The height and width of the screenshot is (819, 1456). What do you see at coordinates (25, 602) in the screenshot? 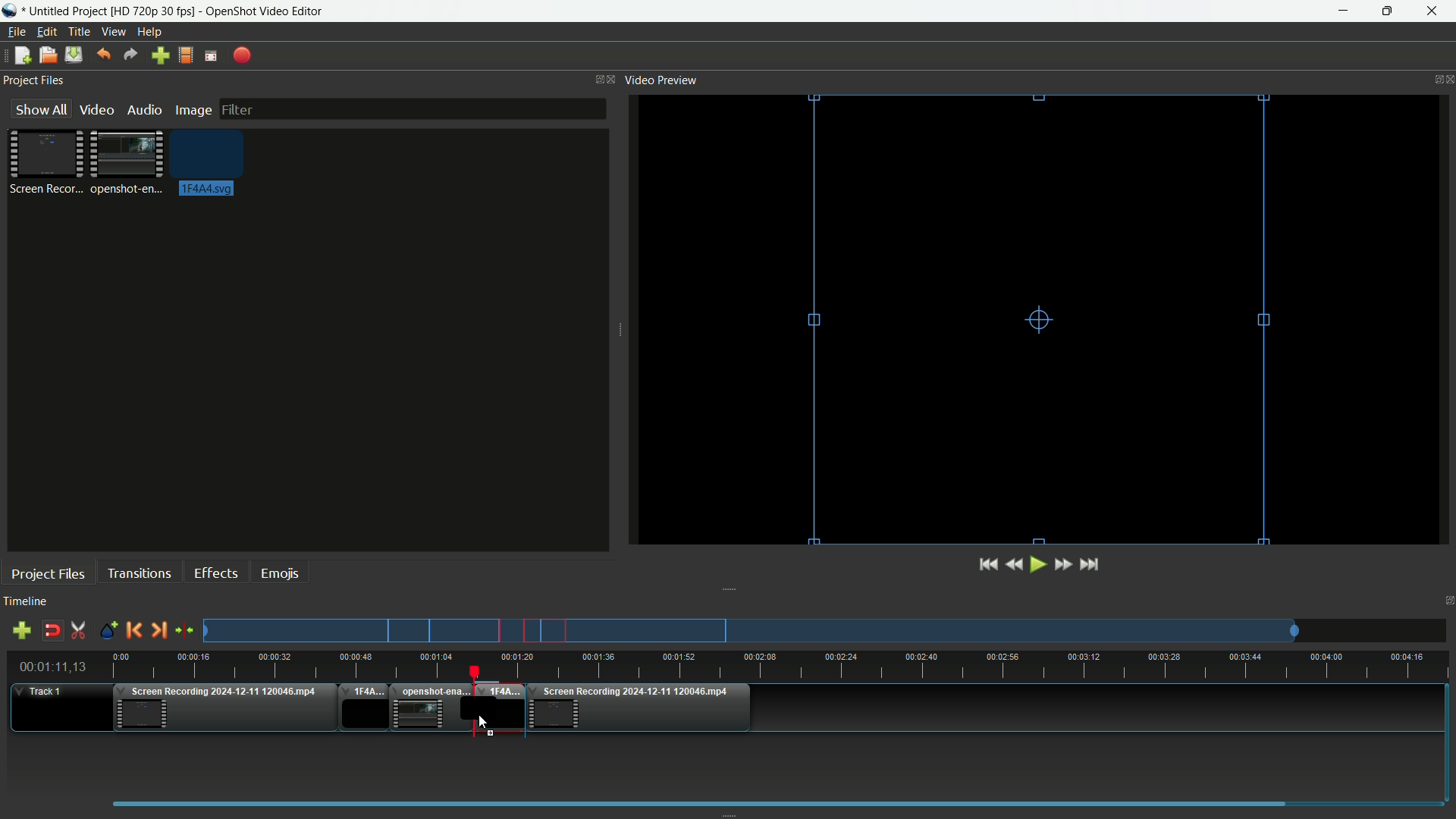
I see `Timeline` at bounding box center [25, 602].